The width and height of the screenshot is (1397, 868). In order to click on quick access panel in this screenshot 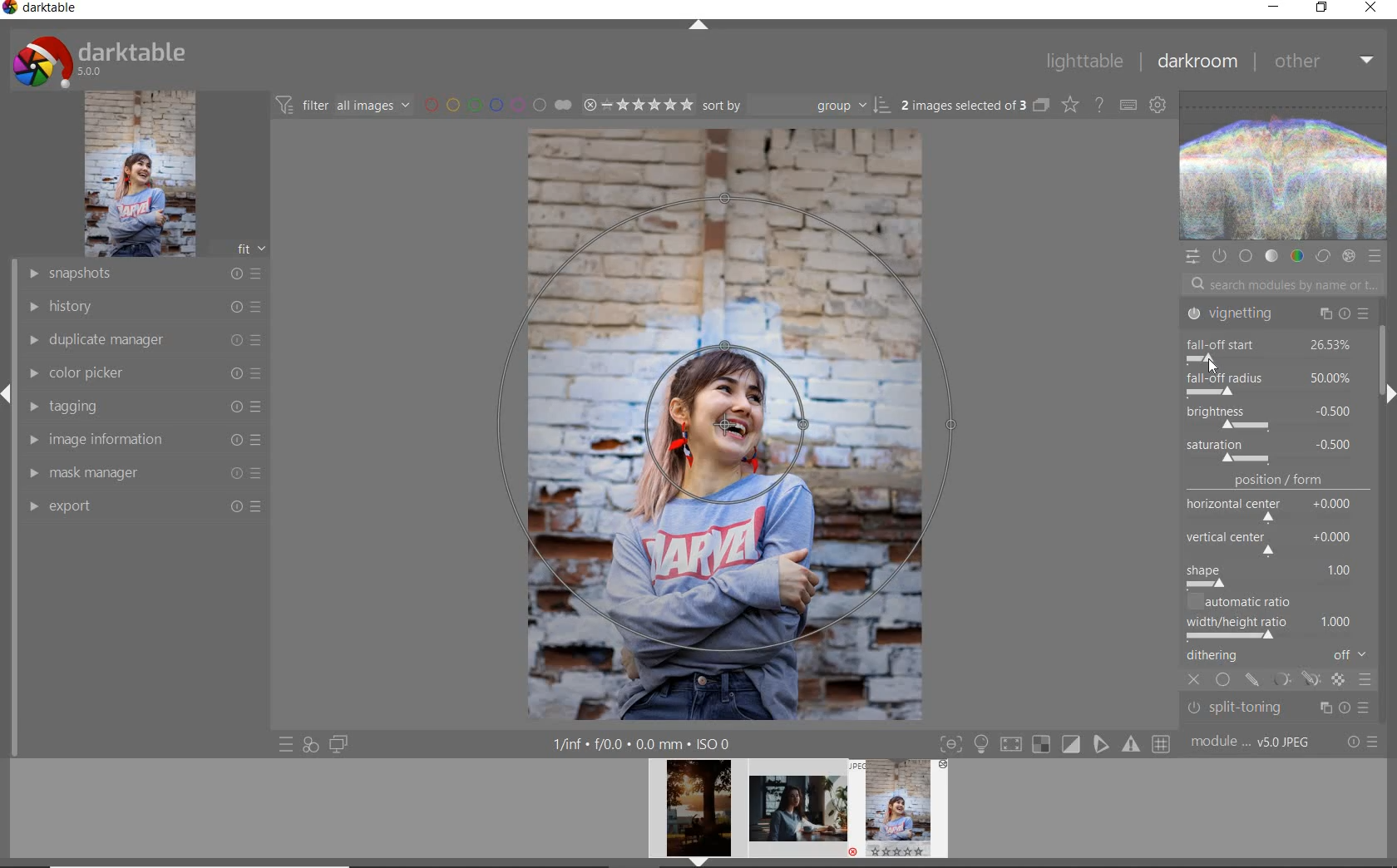, I will do `click(1192, 257)`.